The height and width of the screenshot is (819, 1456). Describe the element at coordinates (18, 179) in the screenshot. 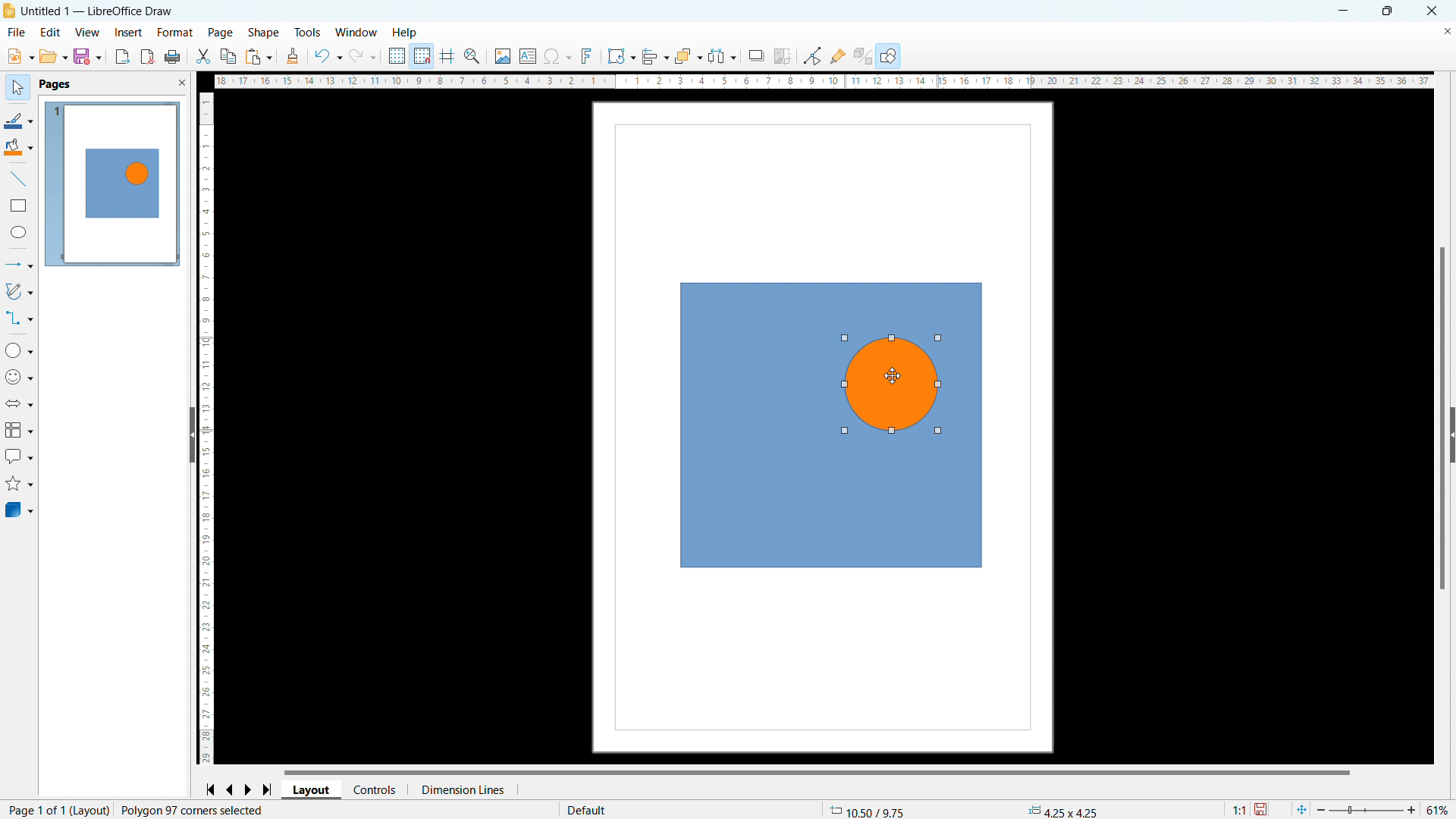

I see `line tool` at that location.